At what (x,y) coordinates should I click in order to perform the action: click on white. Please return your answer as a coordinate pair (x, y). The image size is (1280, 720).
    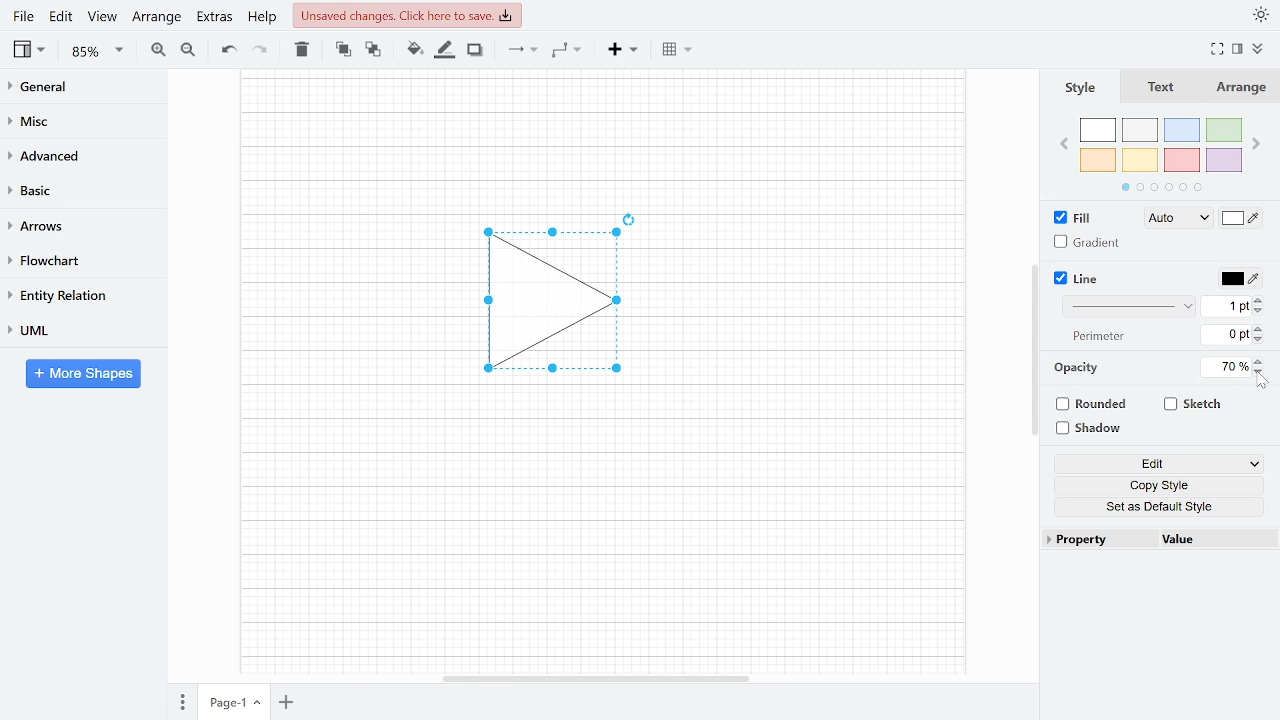
    Looking at the image, I should click on (1098, 131).